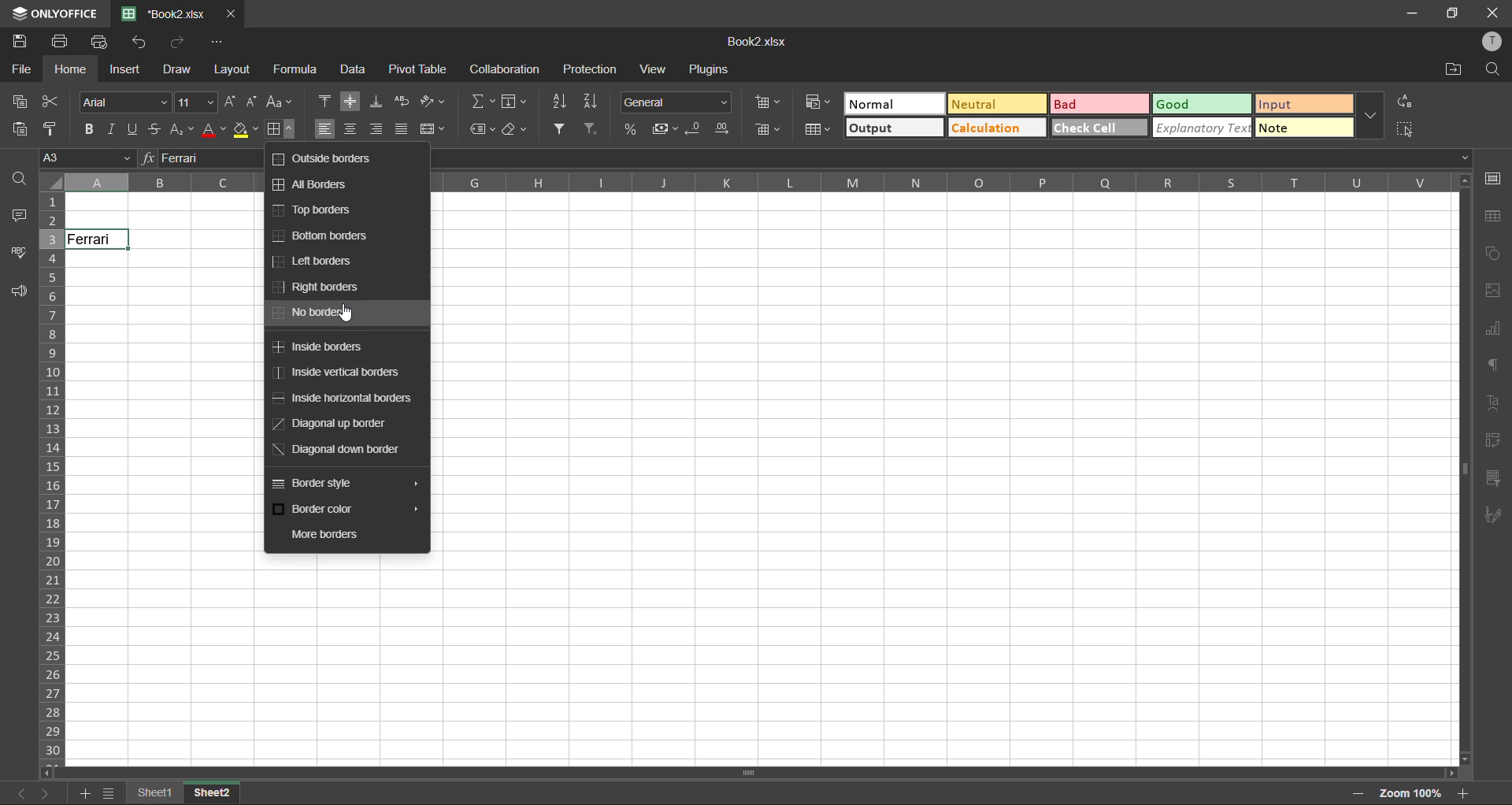 Image resolution: width=1512 pixels, height=805 pixels. I want to click on replace, so click(1404, 102).